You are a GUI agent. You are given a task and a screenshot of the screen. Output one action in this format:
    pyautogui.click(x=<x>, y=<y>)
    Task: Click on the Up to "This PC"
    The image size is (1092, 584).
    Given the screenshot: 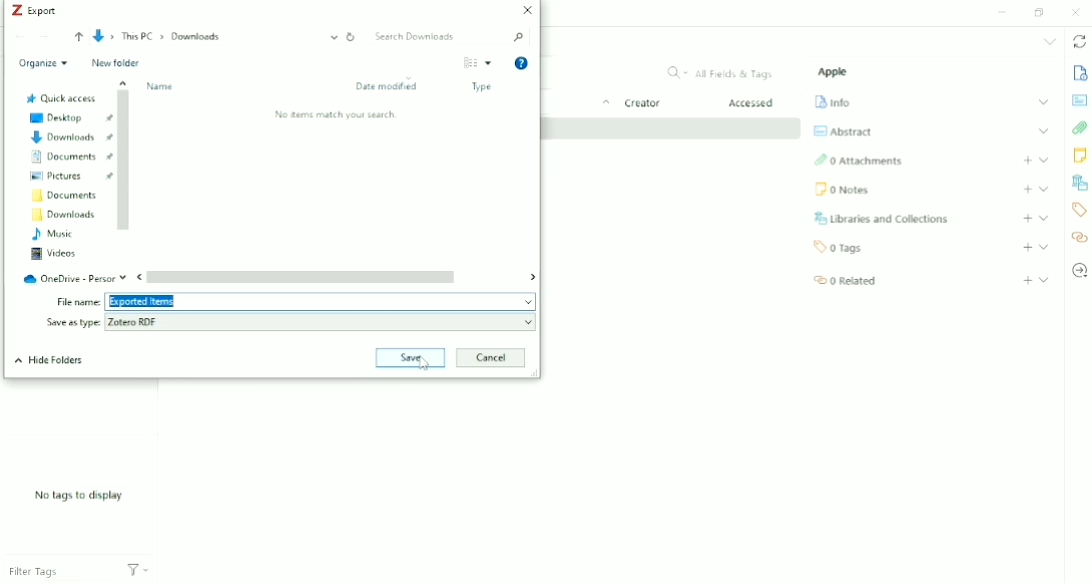 What is the action you would take?
    pyautogui.click(x=78, y=38)
    